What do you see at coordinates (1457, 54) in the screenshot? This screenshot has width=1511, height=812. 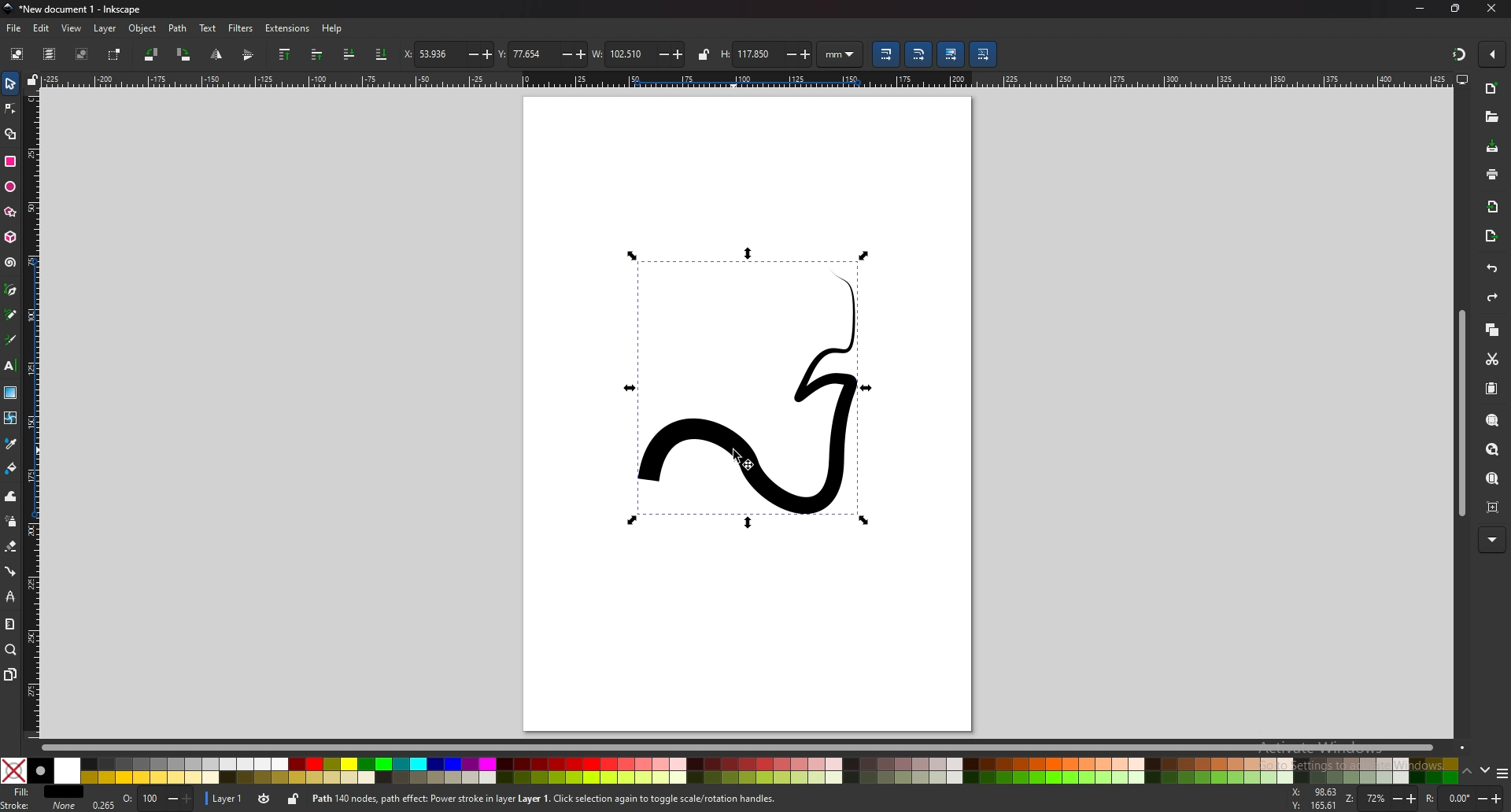 I see `snapping` at bounding box center [1457, 54].